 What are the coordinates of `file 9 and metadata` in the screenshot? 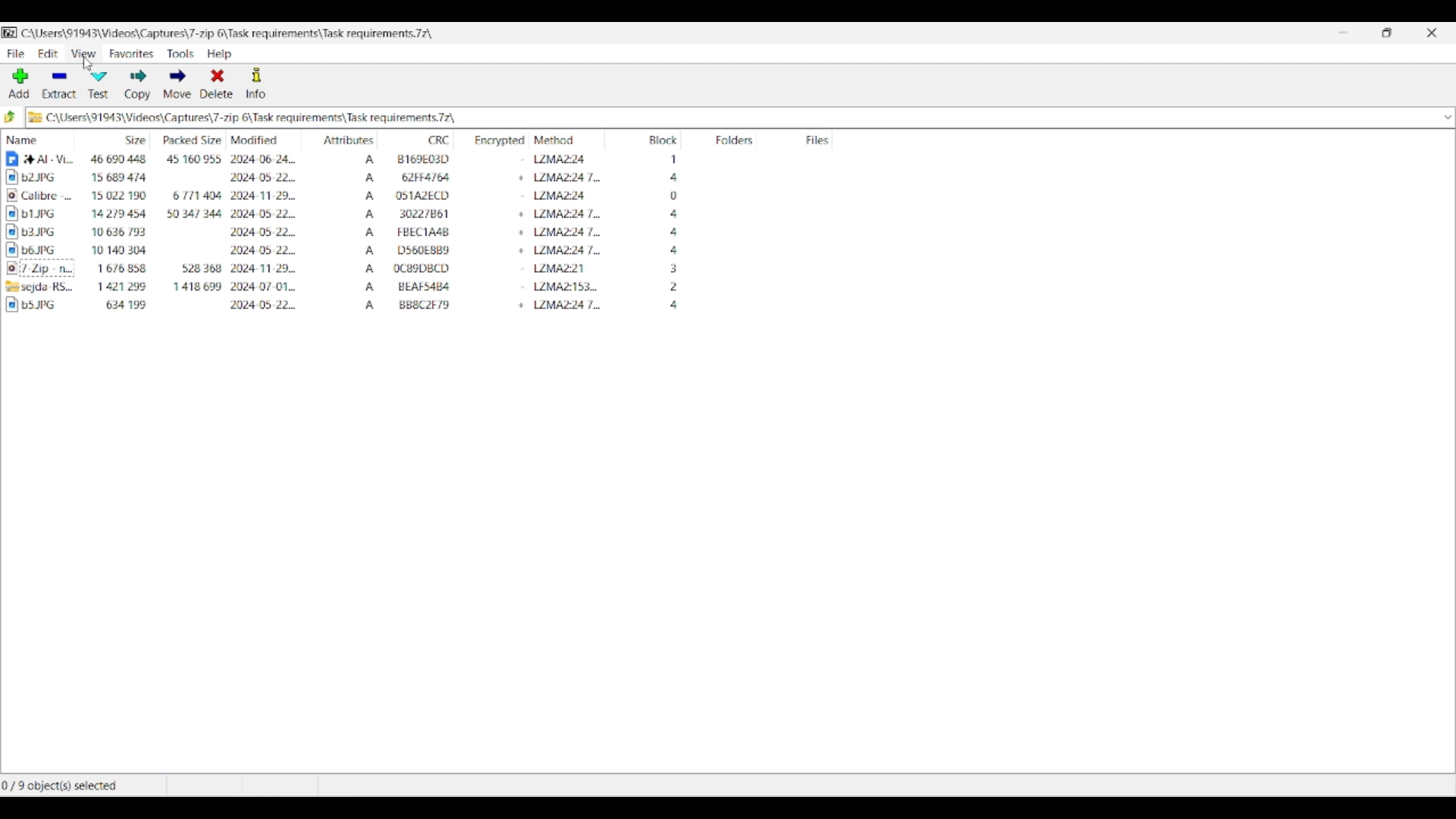 It's located at (420, 307).